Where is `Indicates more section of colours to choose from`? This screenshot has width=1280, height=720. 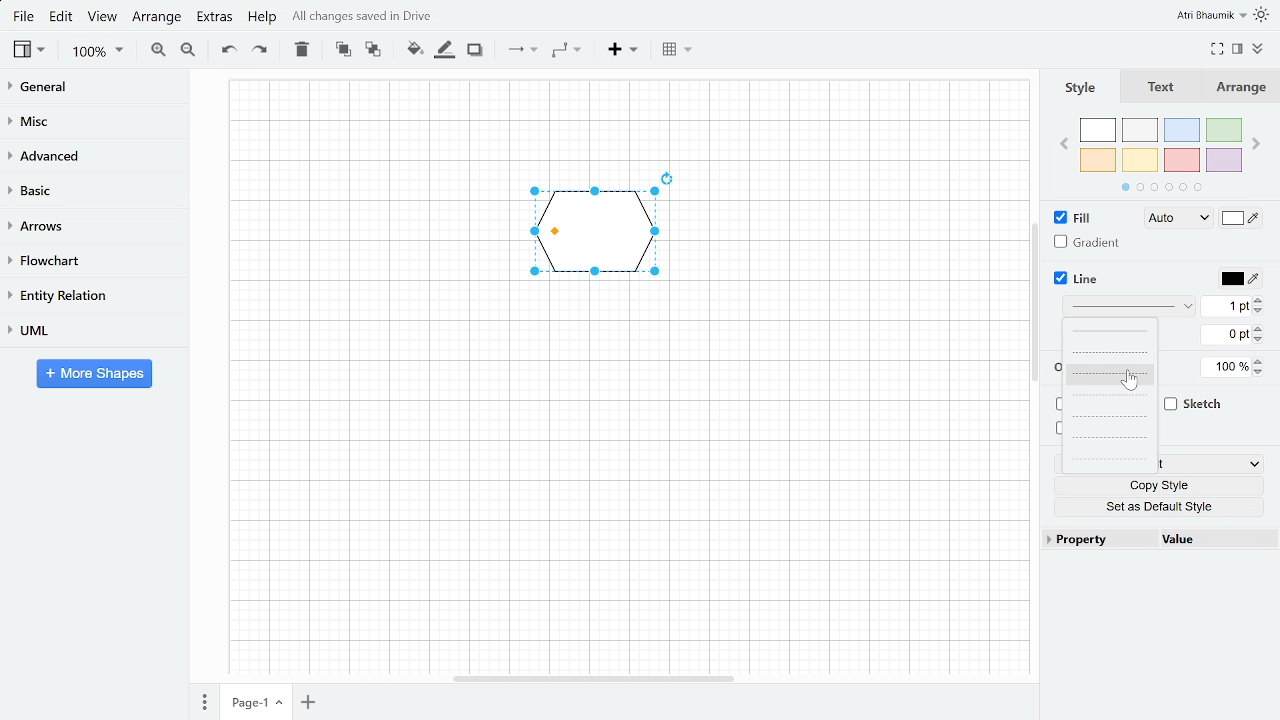 Indicates more section of colours to choose from is located at coordinates (1162, 187).